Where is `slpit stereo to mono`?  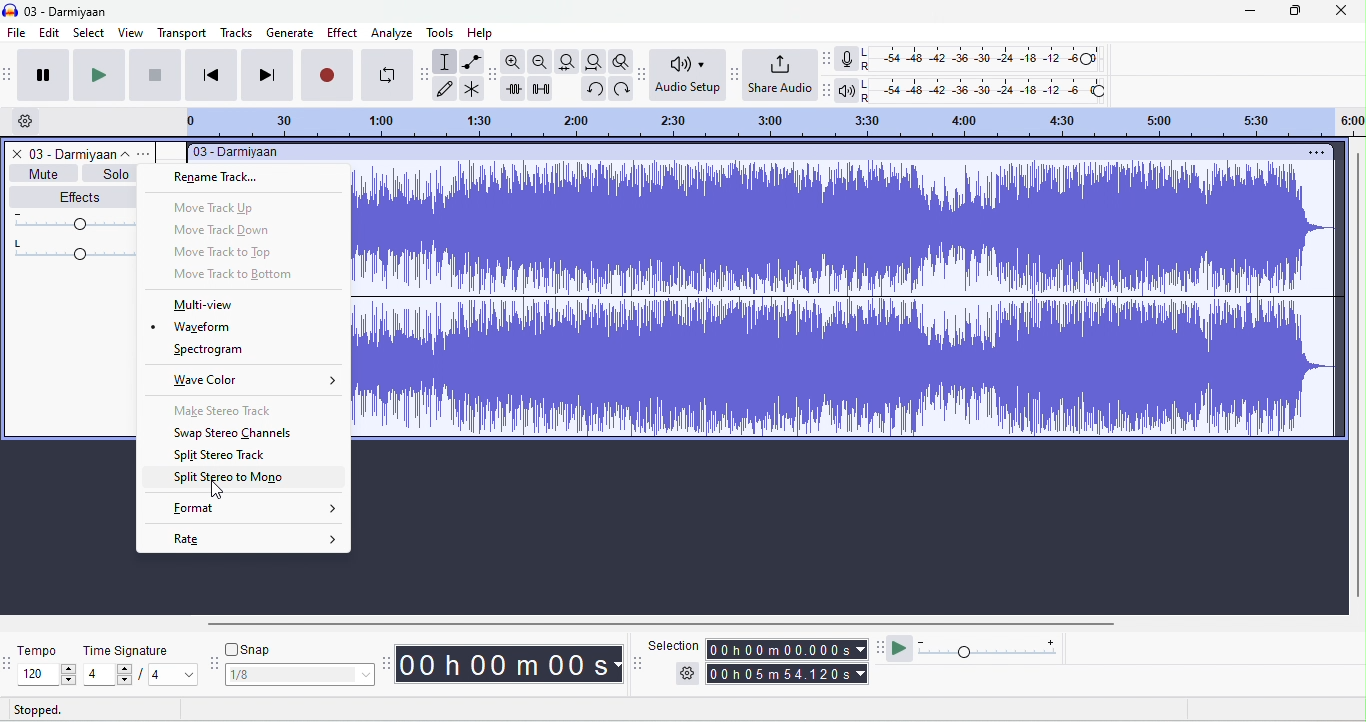 slpit stereo to mono is located at coordinates (234, 477).